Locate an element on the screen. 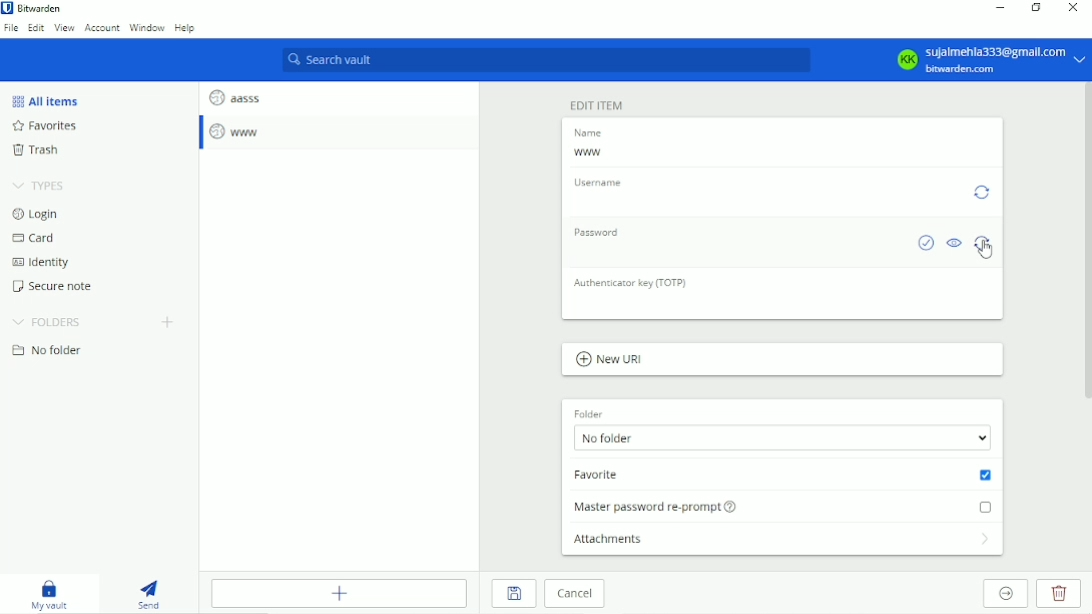 The image size is (1092, 614). Name is located at coordinates (591, 133).